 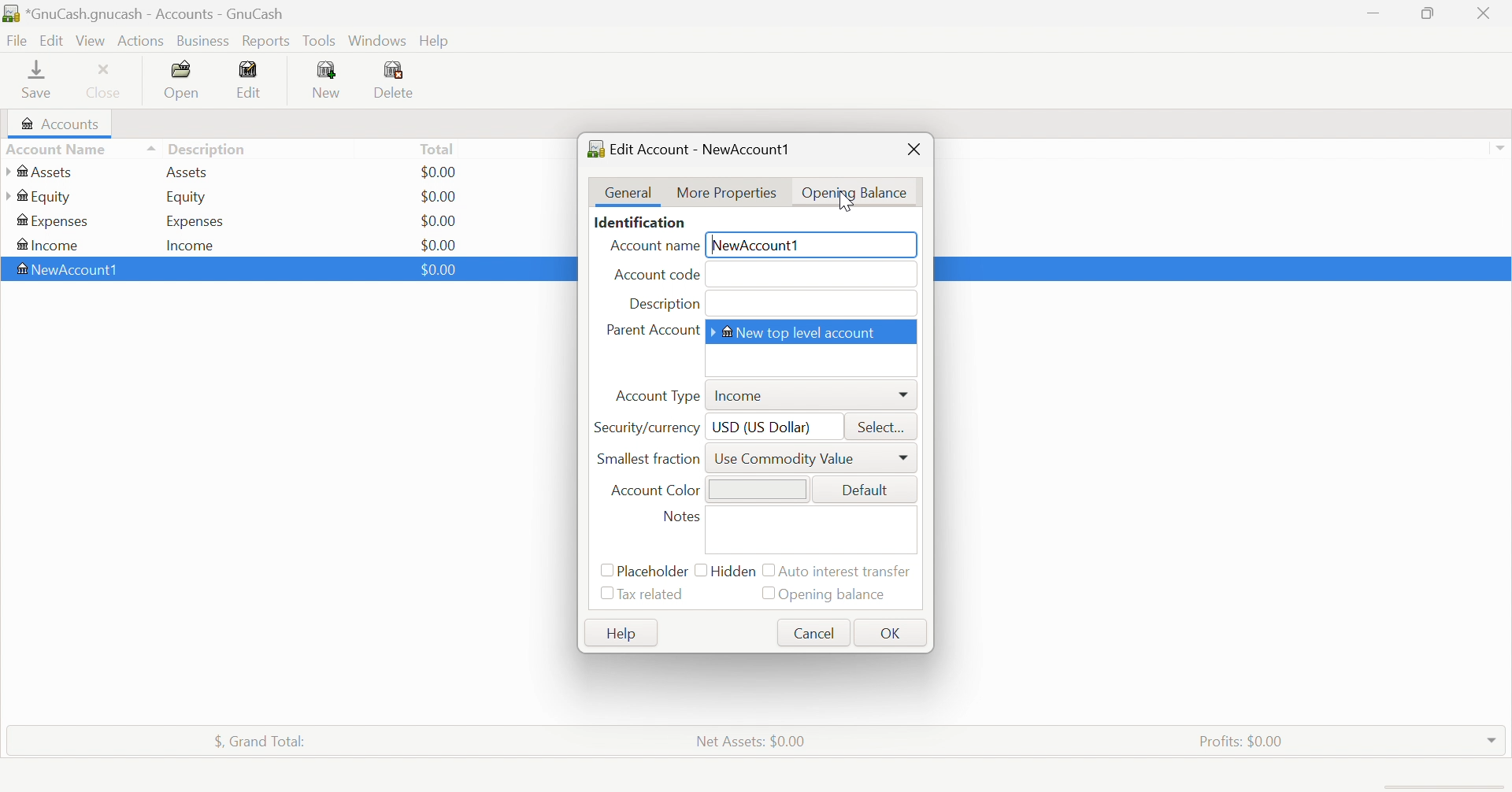 What do you see at coordinates (17, 39) in the screenshot?
I see `File` at bounding box center [17, 39].